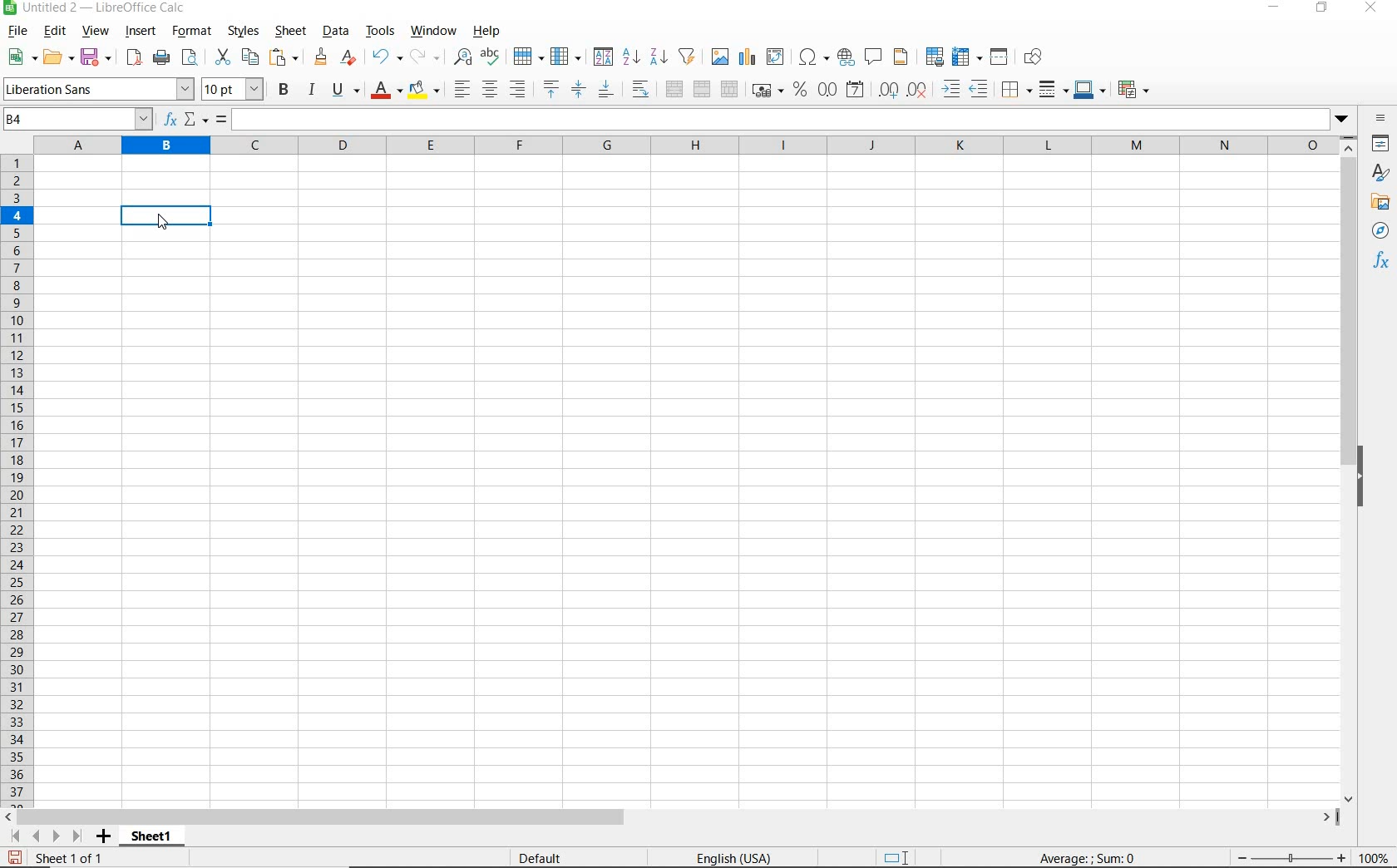  I want to click on sheet1, so click(155, 839).